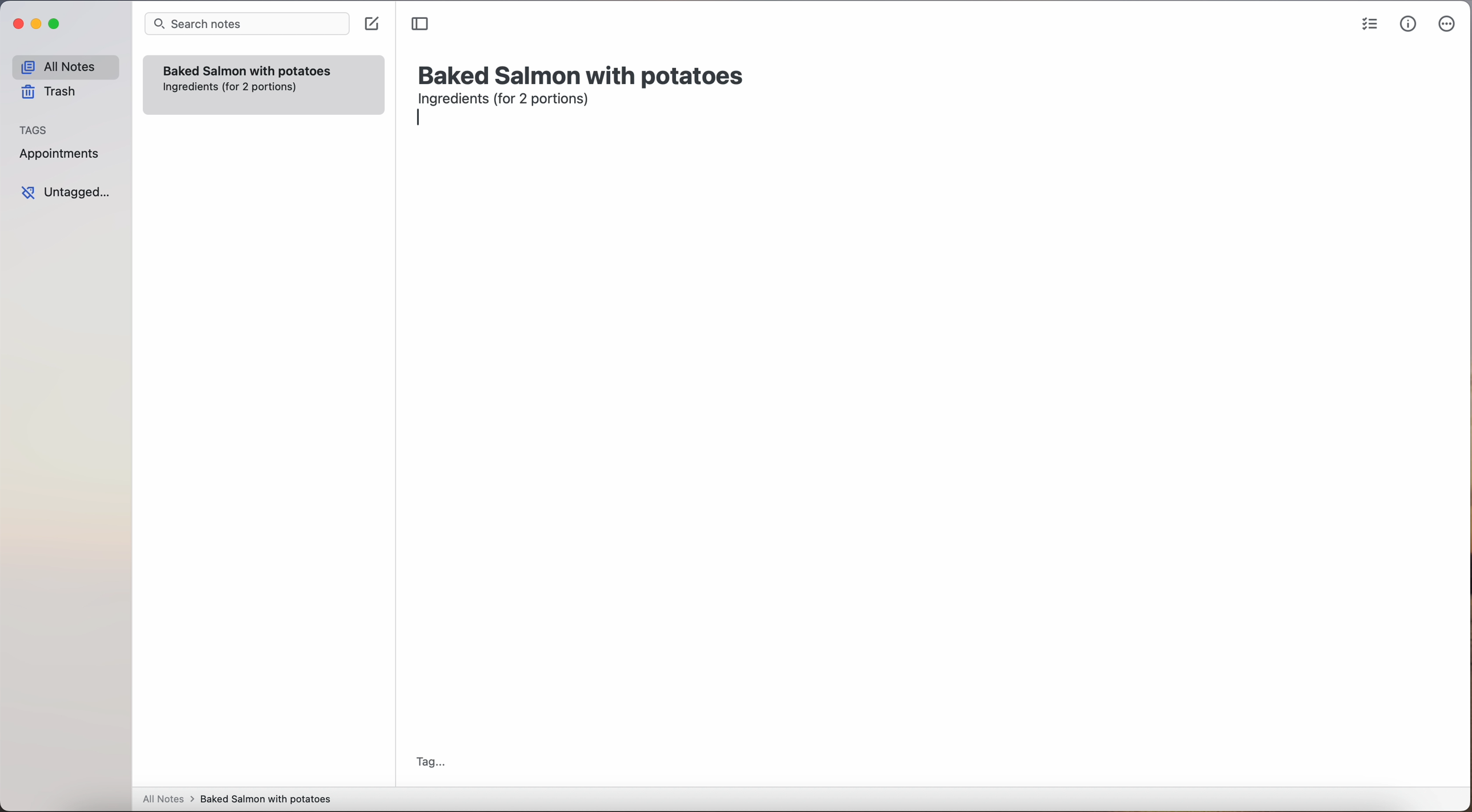 This screenshot has height=812, width=1472. Describe the element at coordinates (65, 66) in the screenshot. I see `all notes` at that location.